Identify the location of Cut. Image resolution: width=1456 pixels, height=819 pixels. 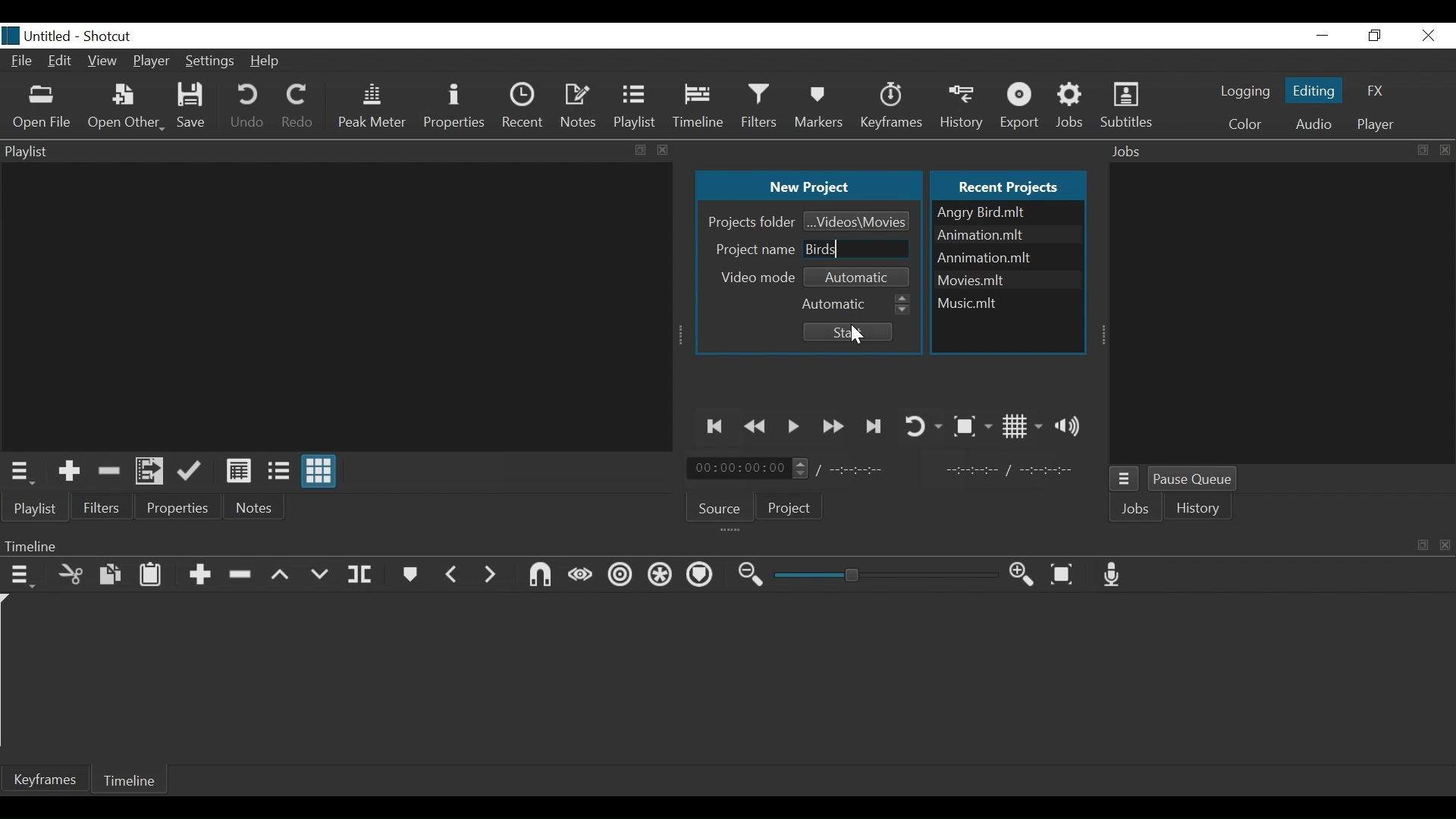
(71, 573).